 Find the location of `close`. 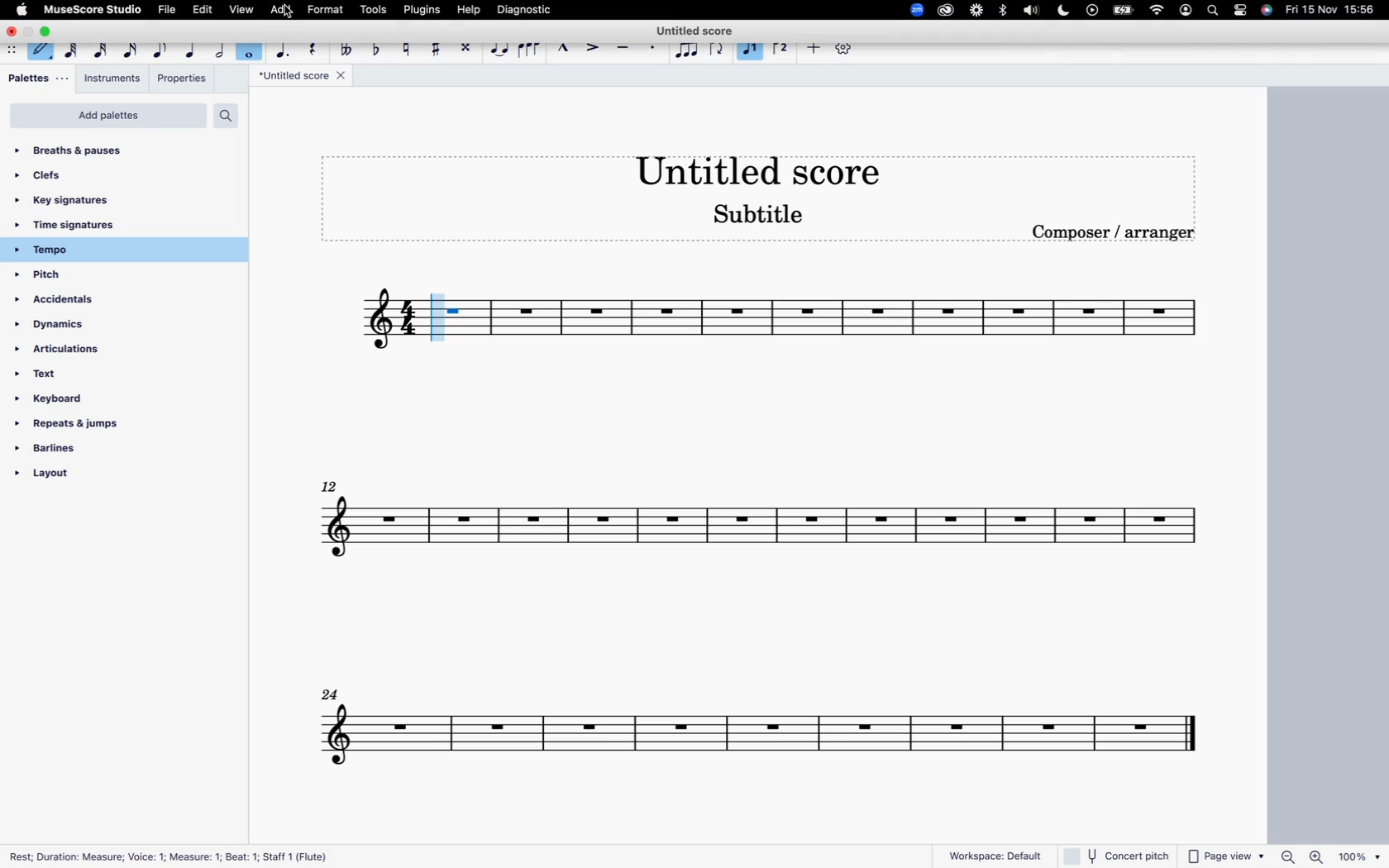

close is located at coordinates (12, 32).